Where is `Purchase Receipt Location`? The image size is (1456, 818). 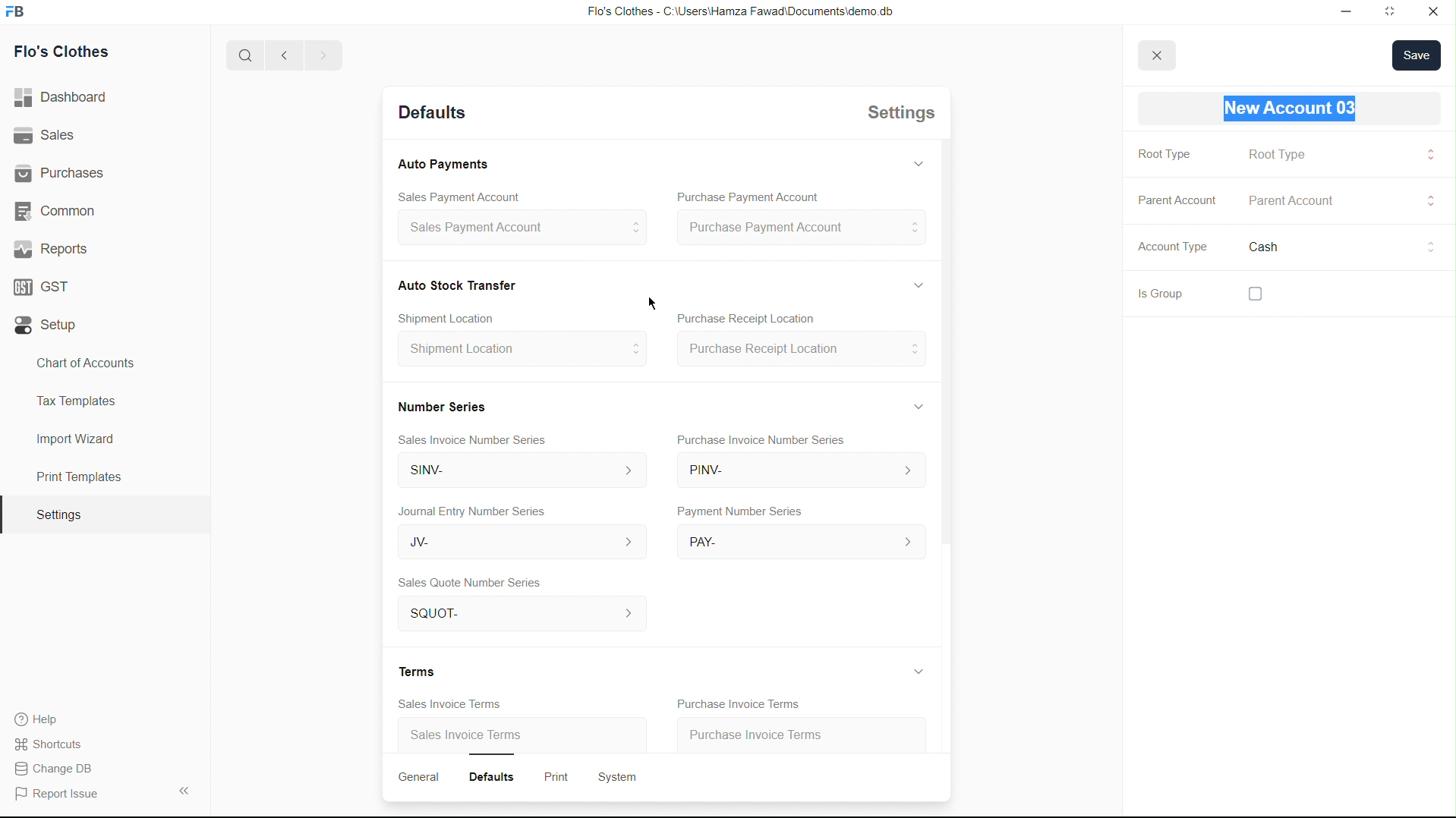
Purchase Receipt Location is located at coordinates (799, 351).